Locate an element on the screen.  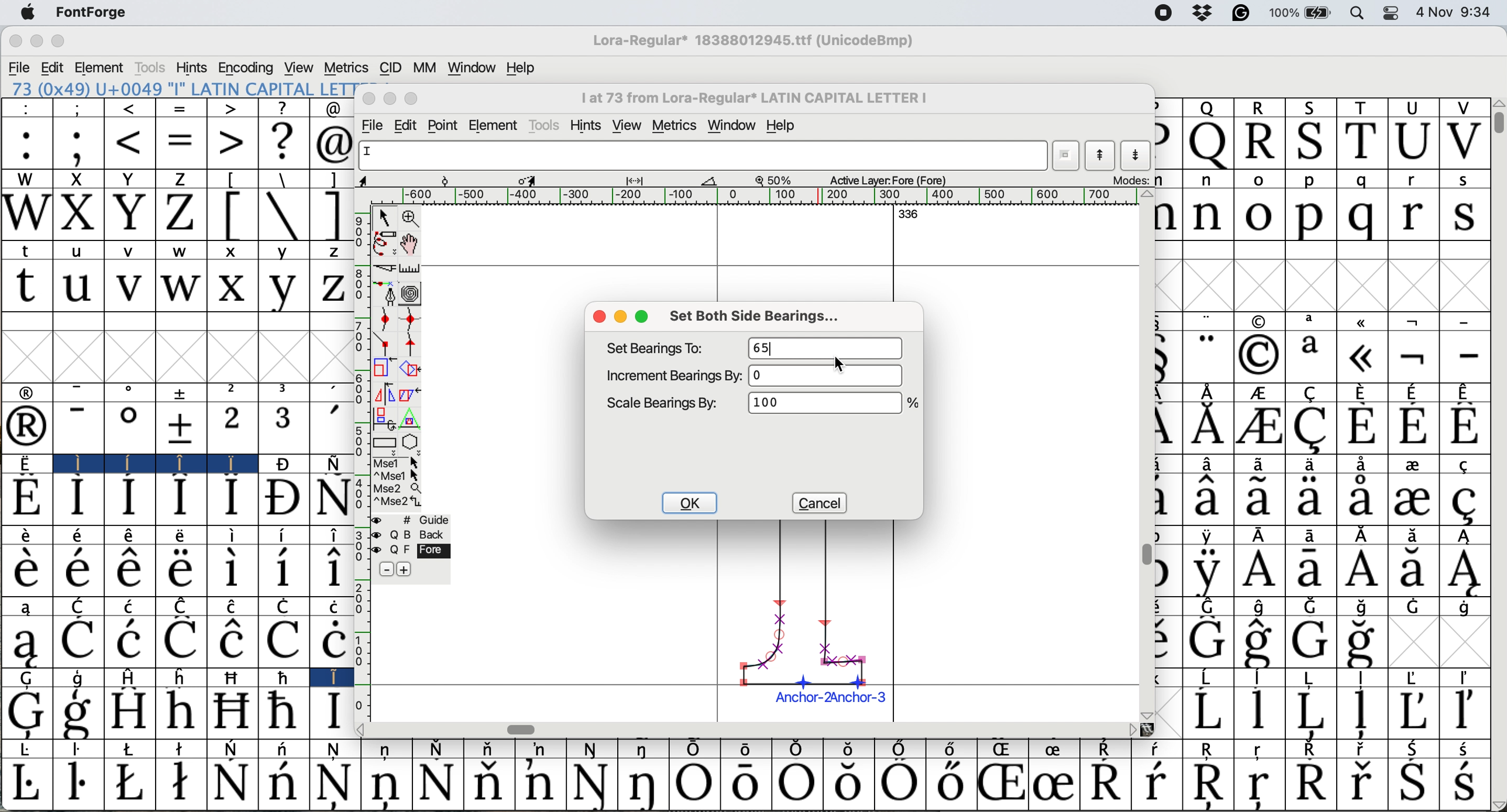
 is located at coordinates (1498, 804).